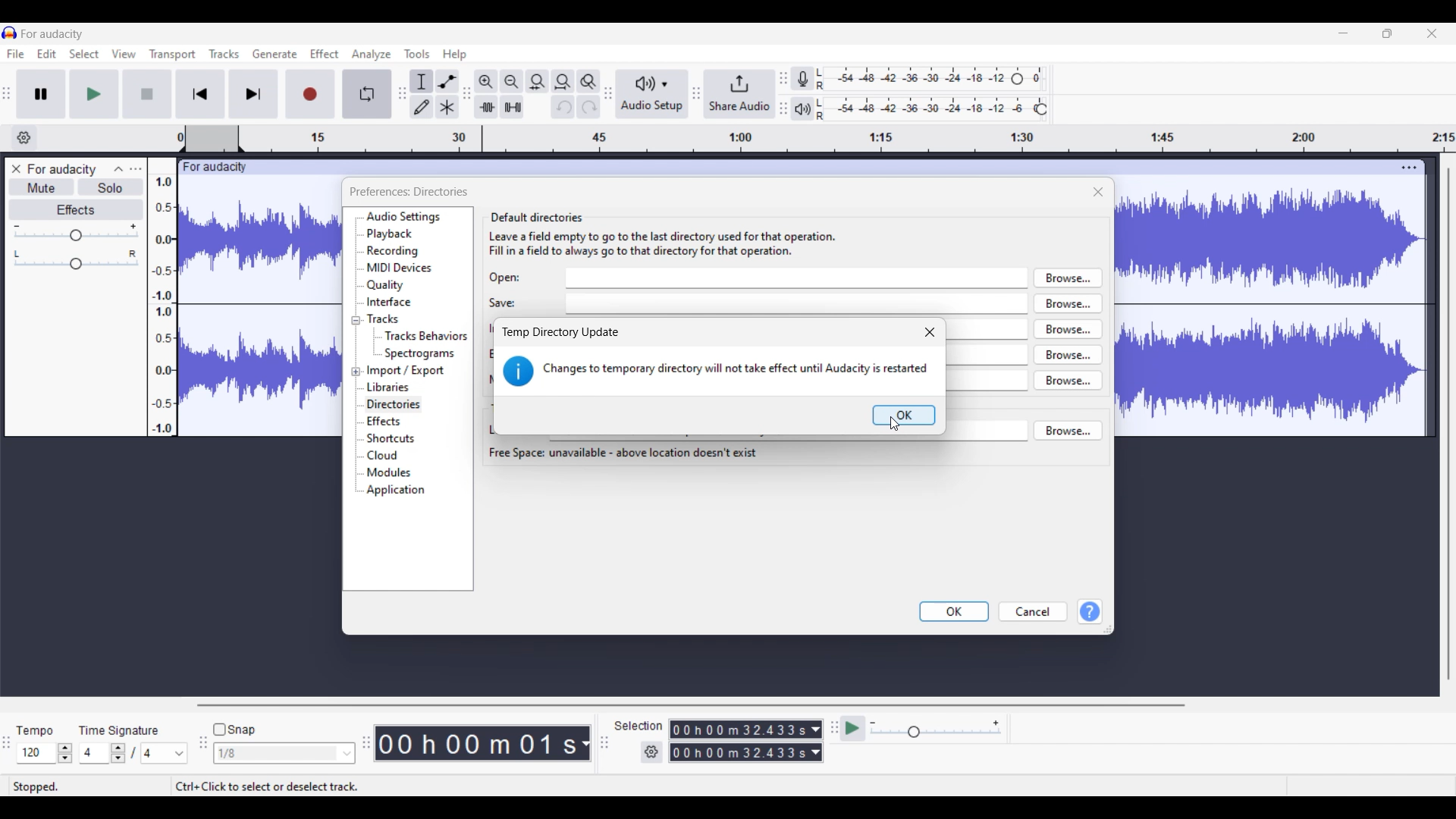 Image resolution: width=1456 pixels, height=819 pixels. What do you see at coordinates (1068, 328) in the screenshot?
I see `browse` at bounding box center [1068, 328].